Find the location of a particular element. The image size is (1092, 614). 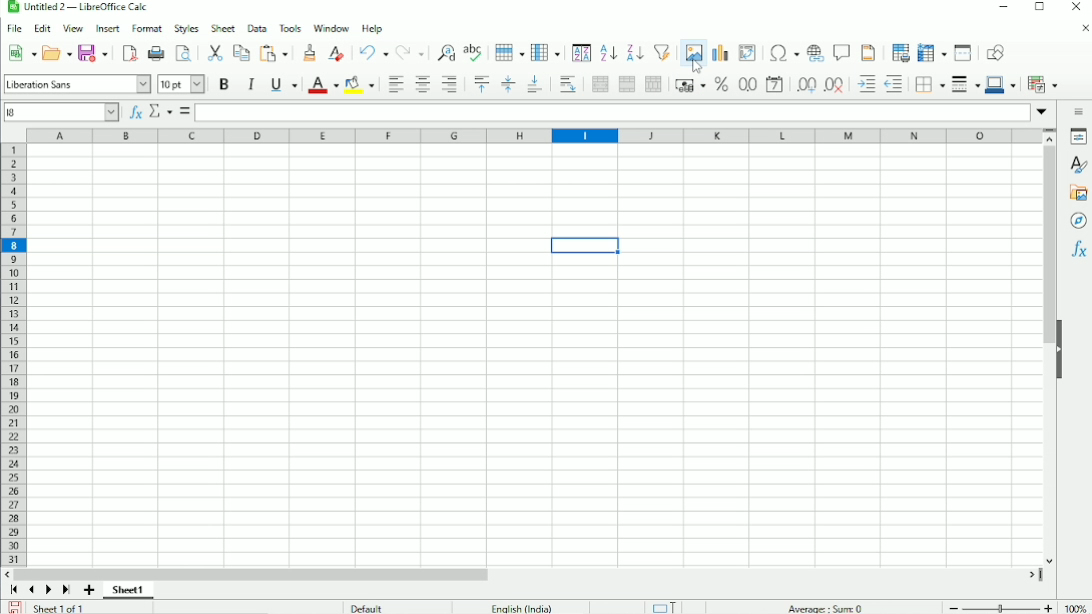

Select function is located at coordinates (159, 110).